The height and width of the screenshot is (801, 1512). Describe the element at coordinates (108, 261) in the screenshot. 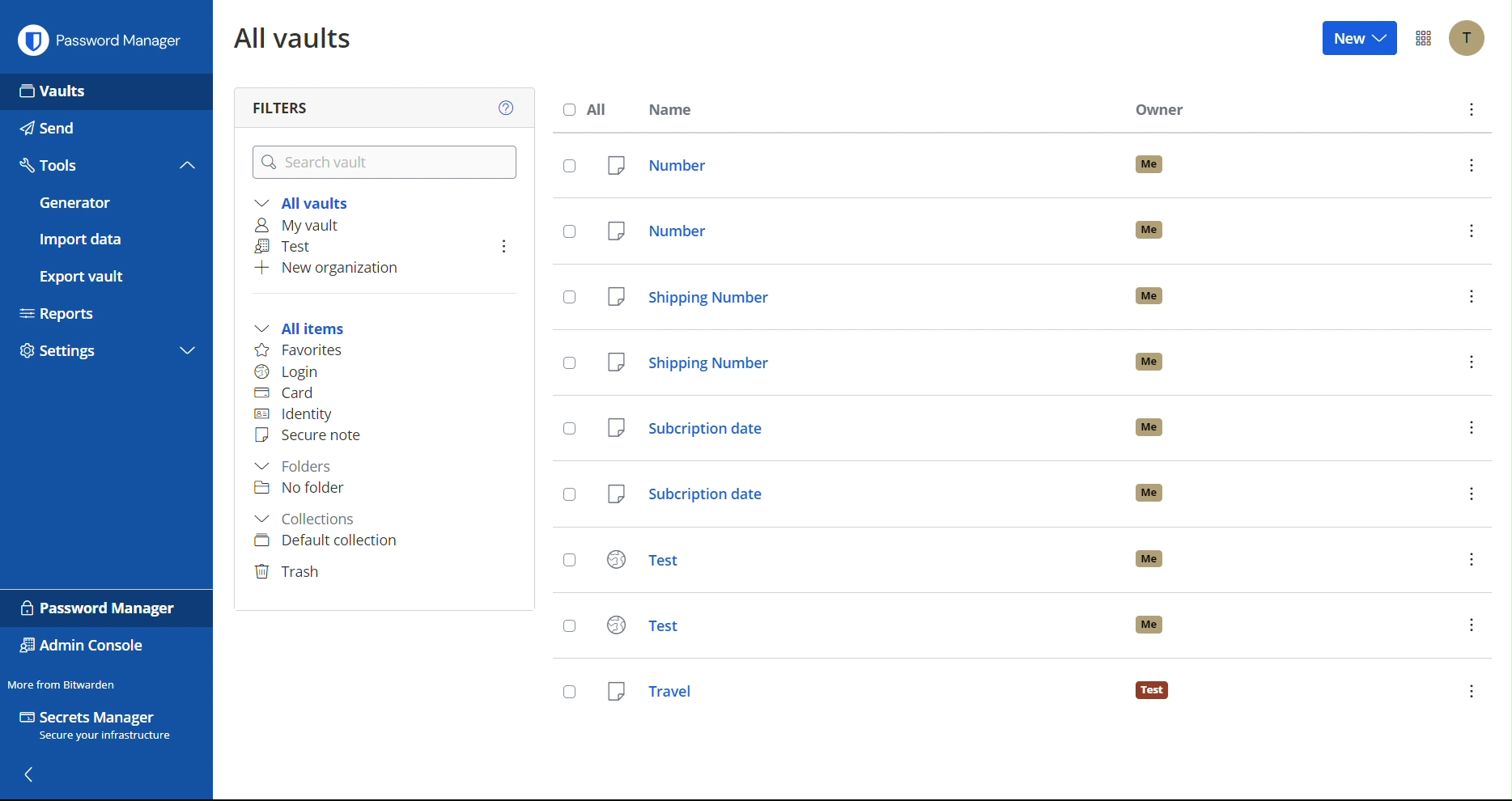

I see `cursor` at that location.